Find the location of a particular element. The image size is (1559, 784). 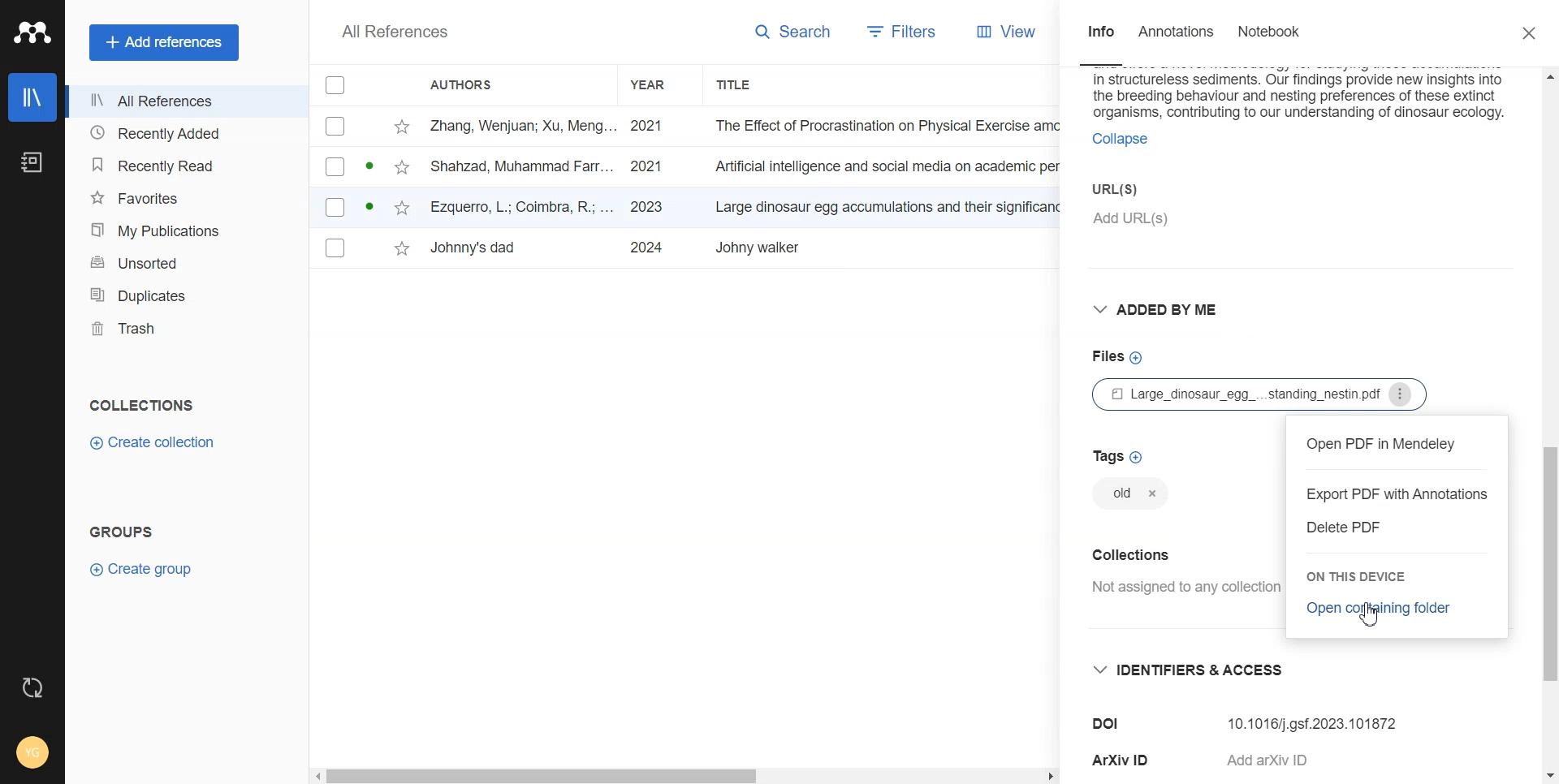

Notebook is located at coordinates (1269, 33).